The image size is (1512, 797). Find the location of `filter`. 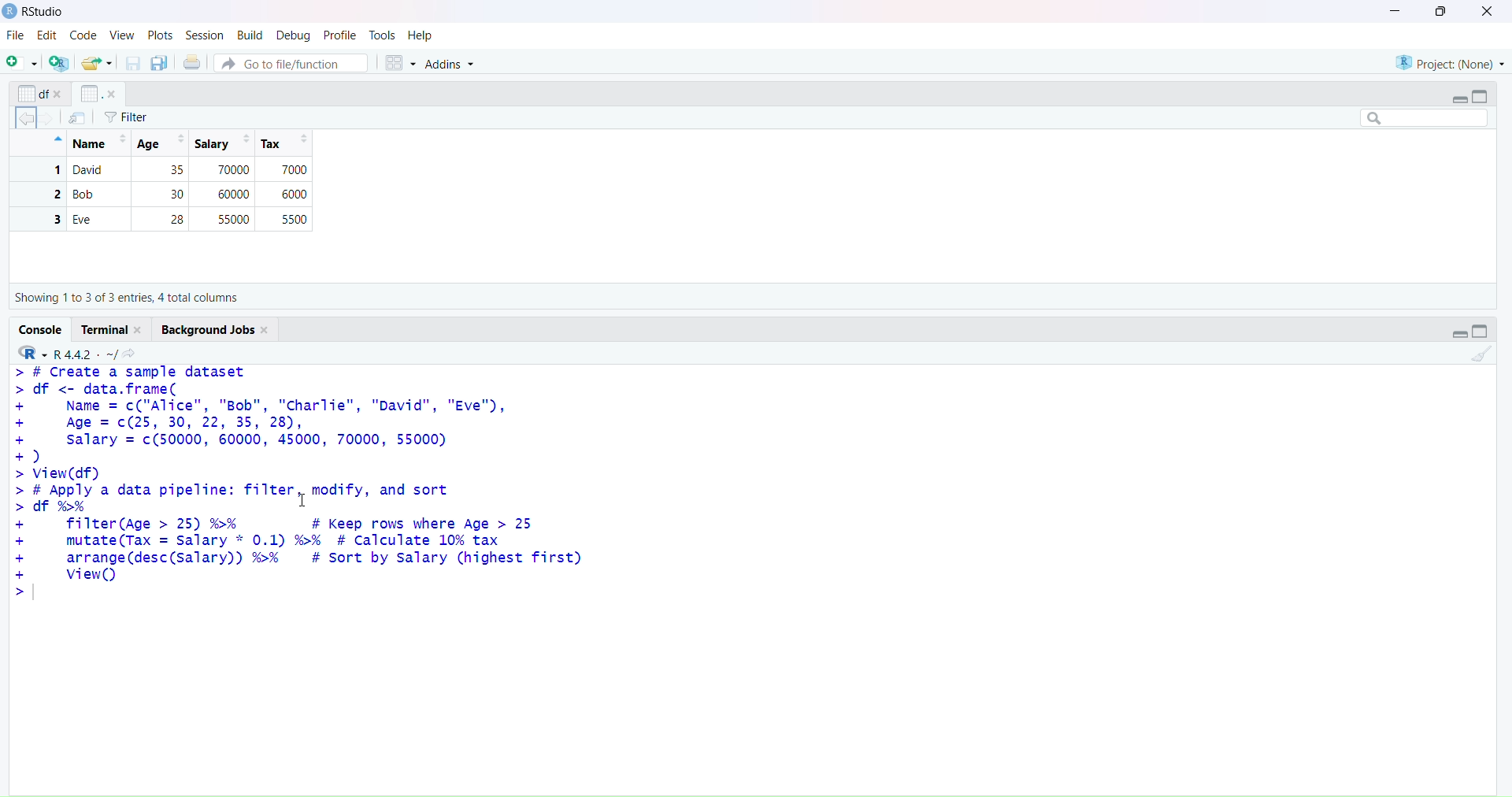

filter is located at coordinates (124, 117).